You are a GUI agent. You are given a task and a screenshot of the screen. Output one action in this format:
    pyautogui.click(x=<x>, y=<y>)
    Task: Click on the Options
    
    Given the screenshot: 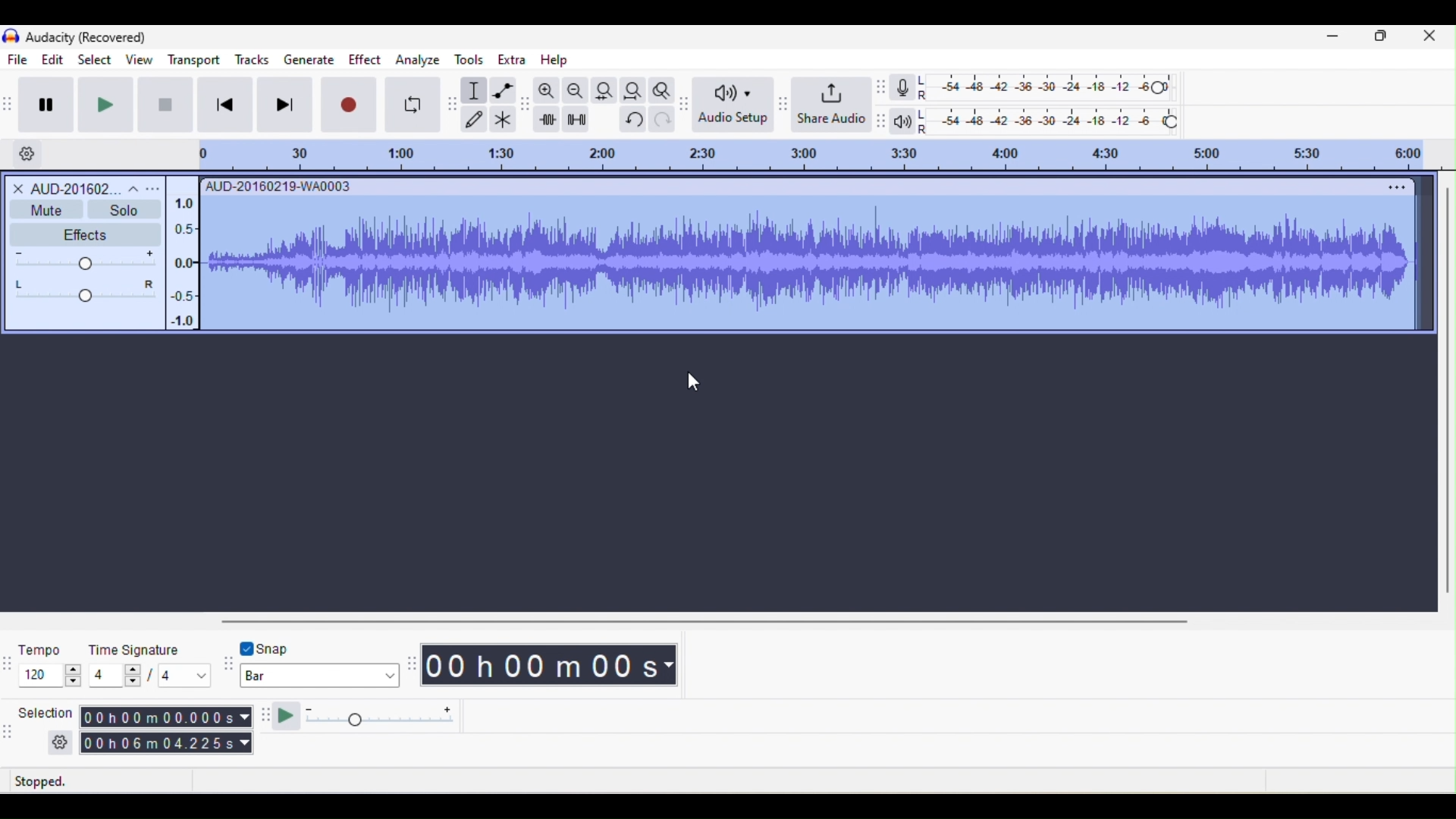 What is the action you would take?
    pyautogui.click(x=1394, y=186)
    